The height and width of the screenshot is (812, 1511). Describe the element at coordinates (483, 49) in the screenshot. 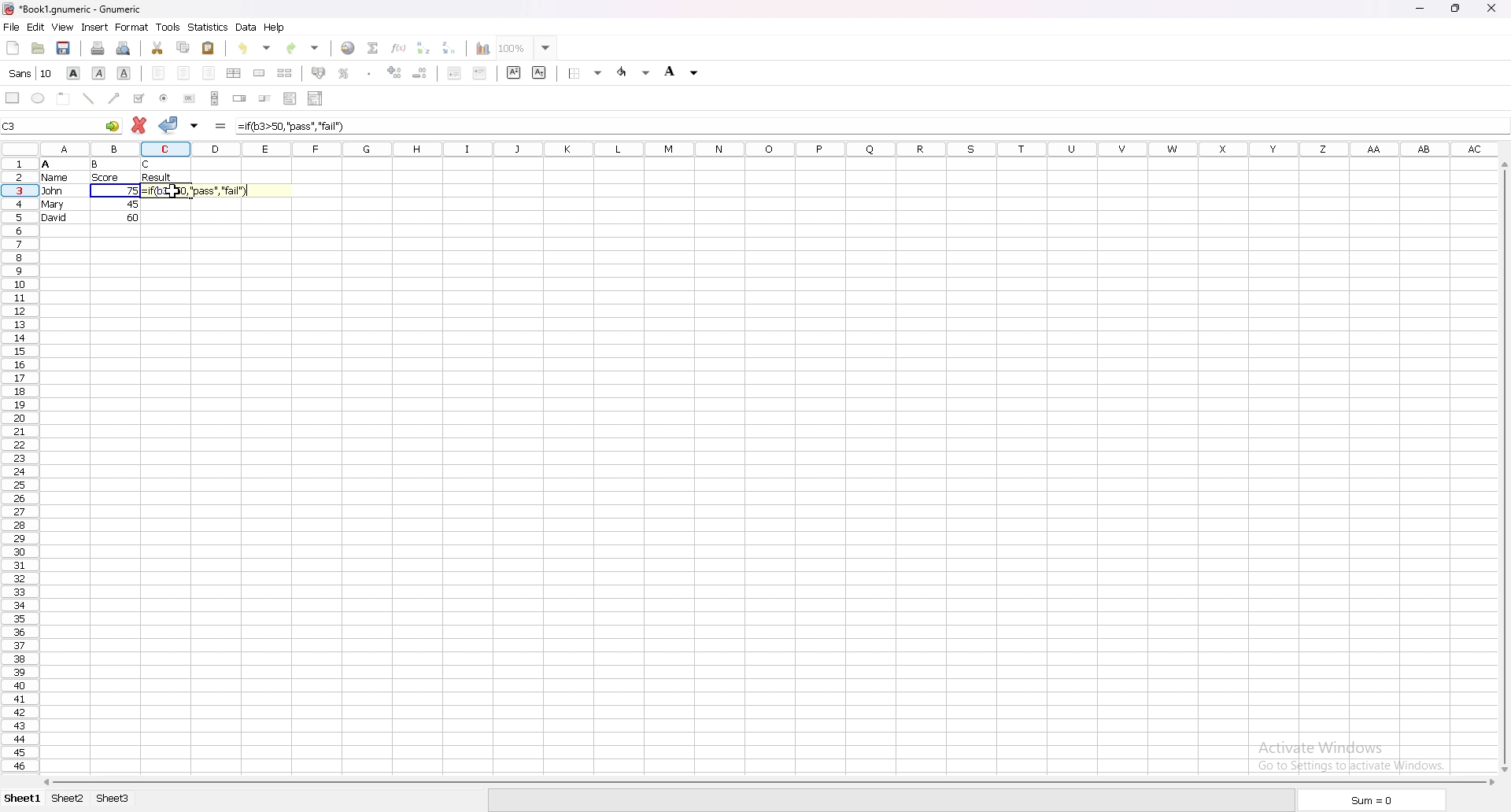

I see `chart` at that location.